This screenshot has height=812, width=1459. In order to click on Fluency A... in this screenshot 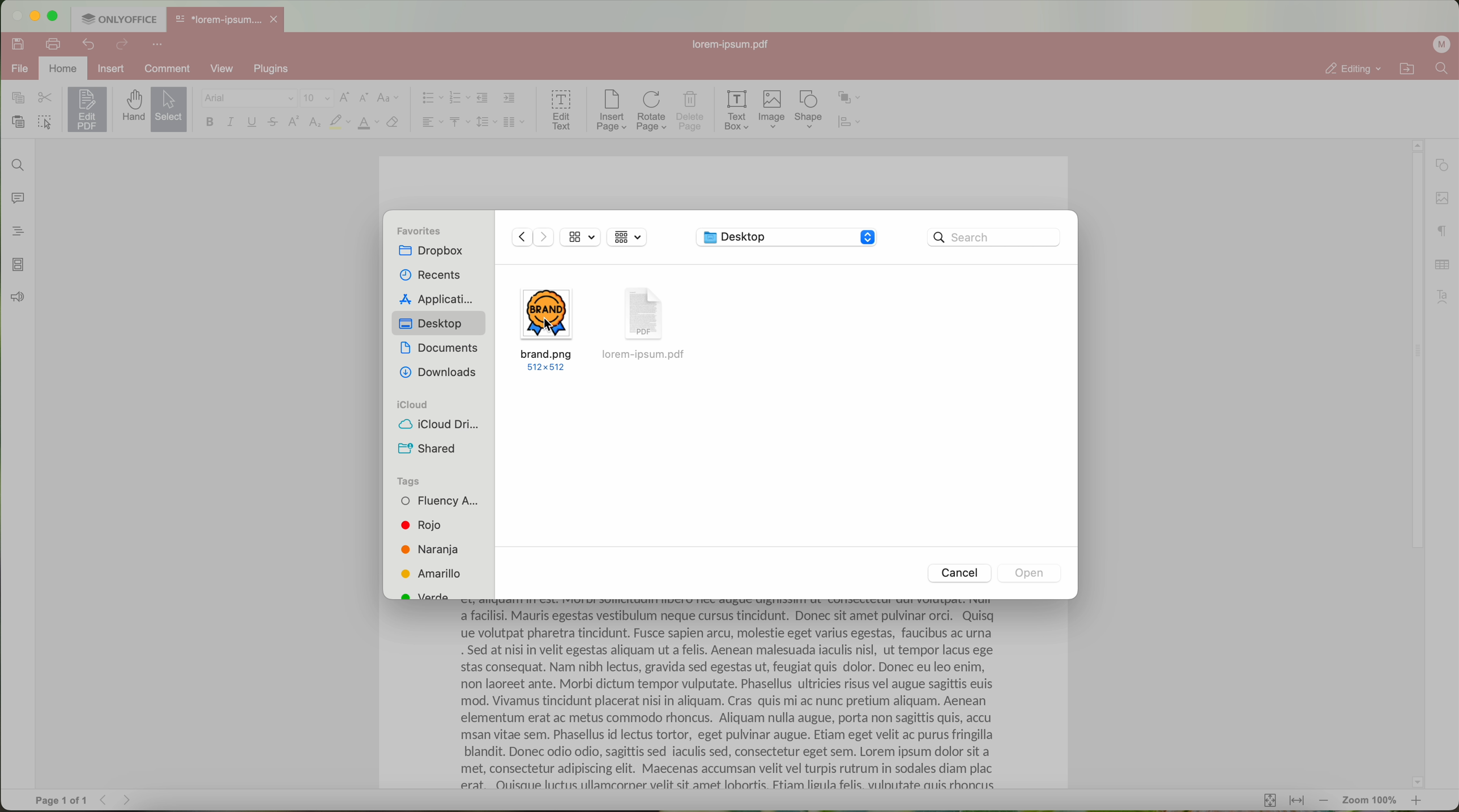, I will do `click(440, 502)`.